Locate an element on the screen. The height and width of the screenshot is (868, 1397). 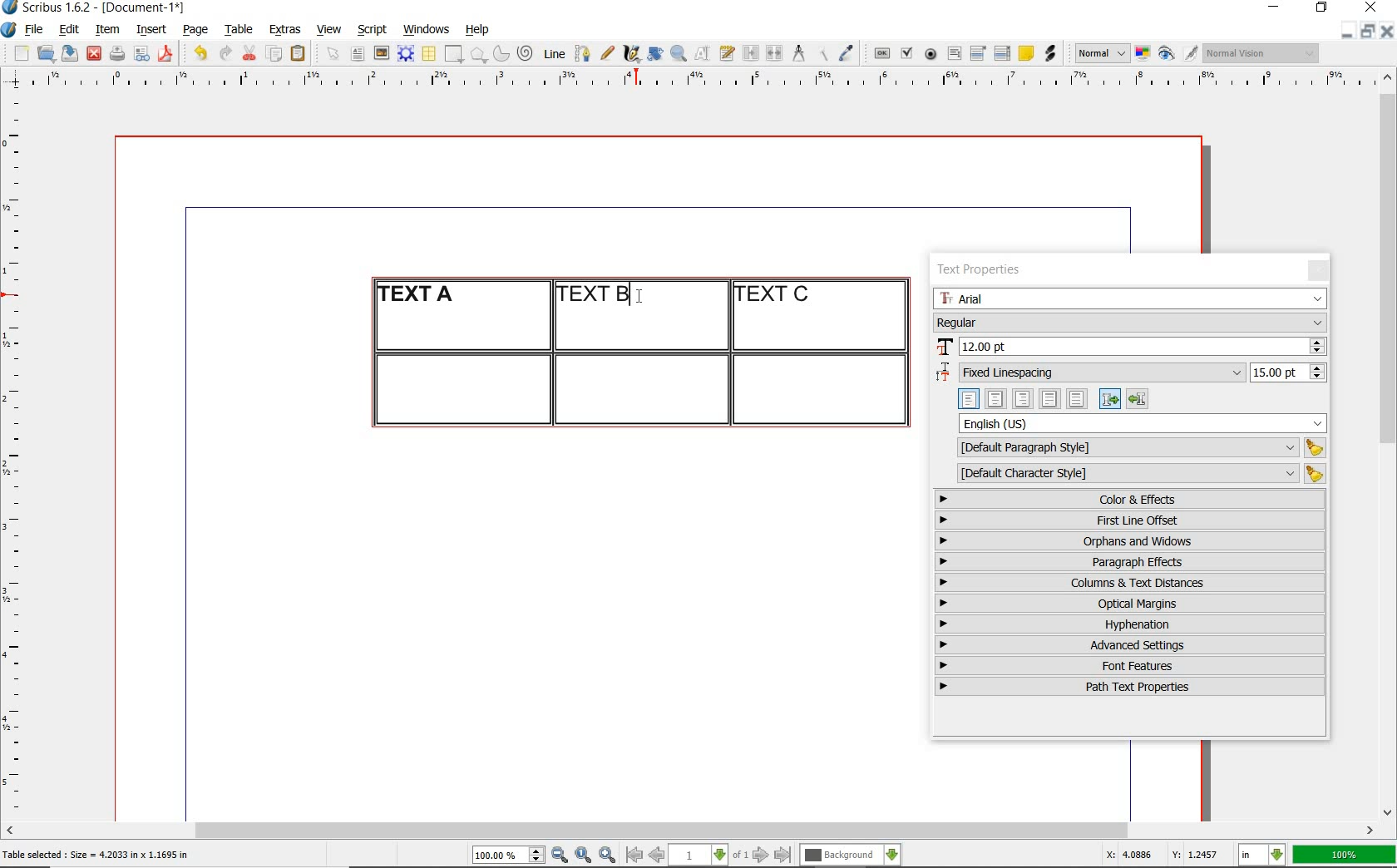
pdf list box is located at coordinates (1003, 53).